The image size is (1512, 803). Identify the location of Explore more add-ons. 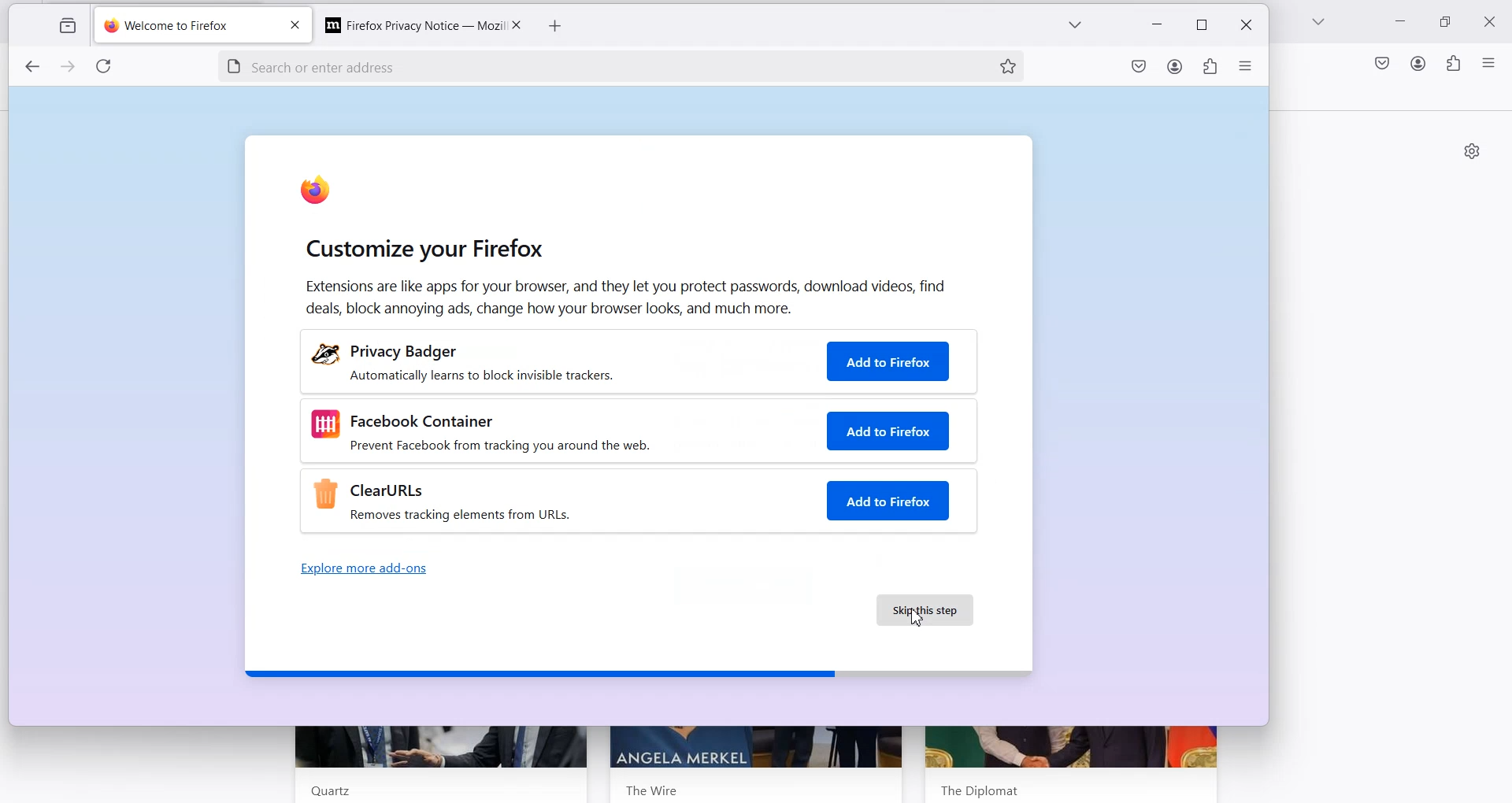
(361, 569).